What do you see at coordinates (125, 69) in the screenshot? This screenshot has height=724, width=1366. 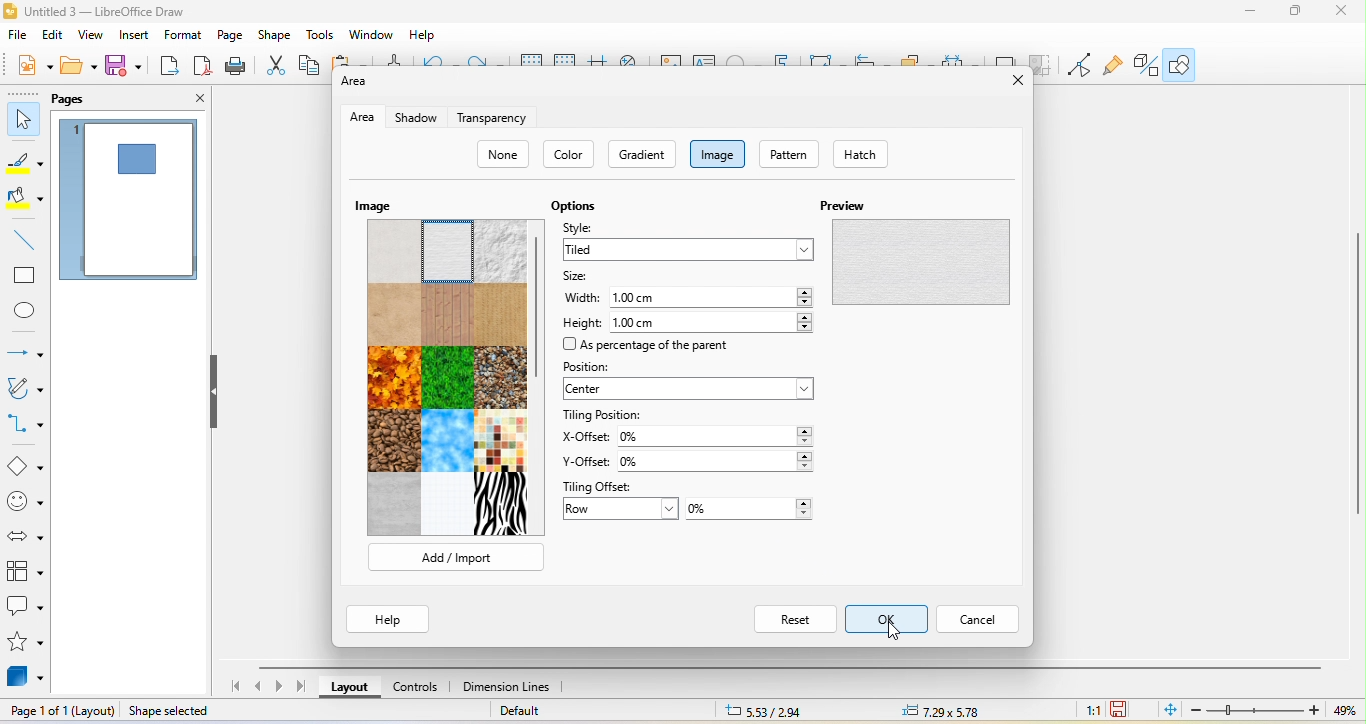 I see `save` at bounding box center [125, 69].